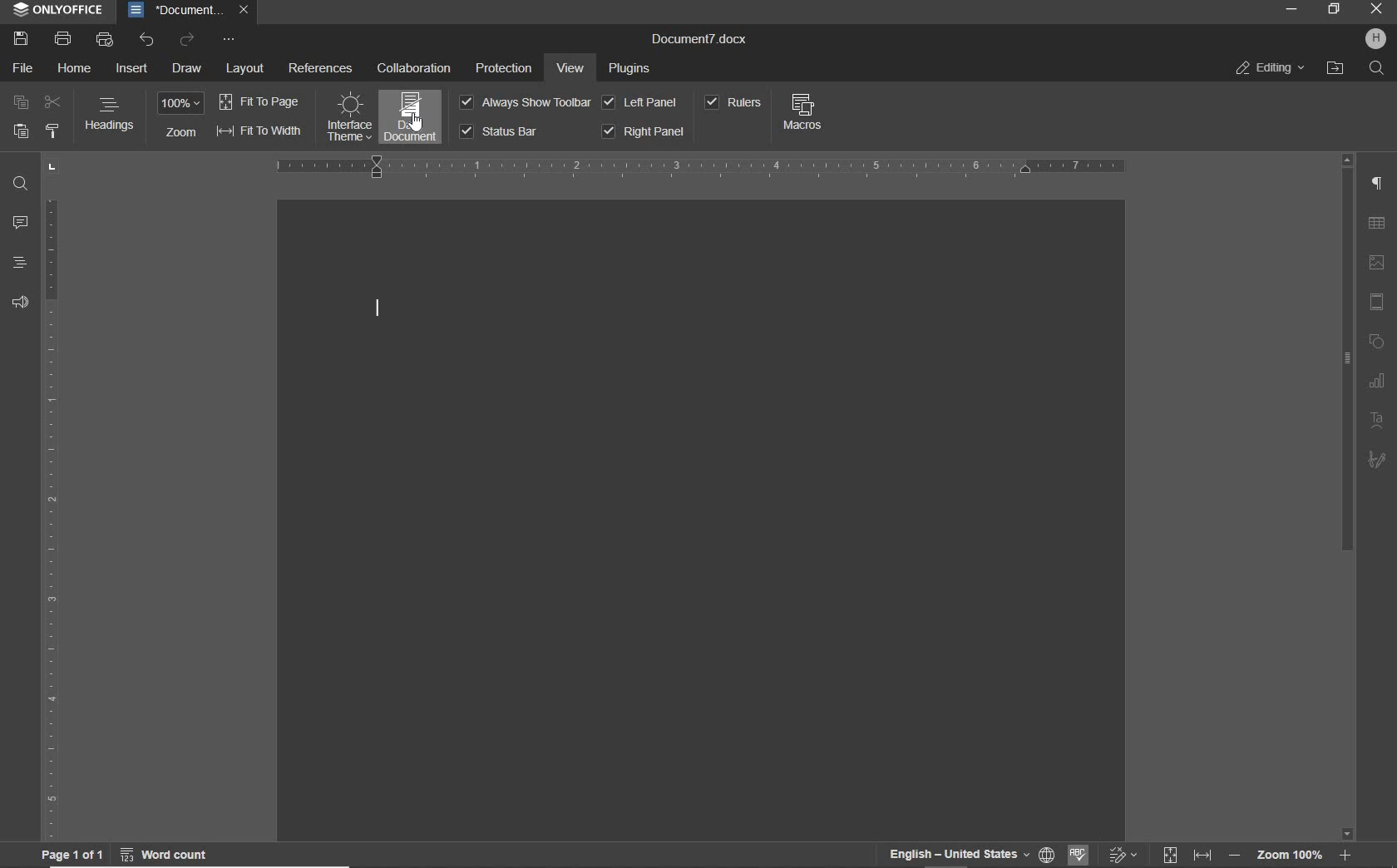 The image size is (1397, 868). I want to click on DOCUMENT NAME, so click(699, 38).